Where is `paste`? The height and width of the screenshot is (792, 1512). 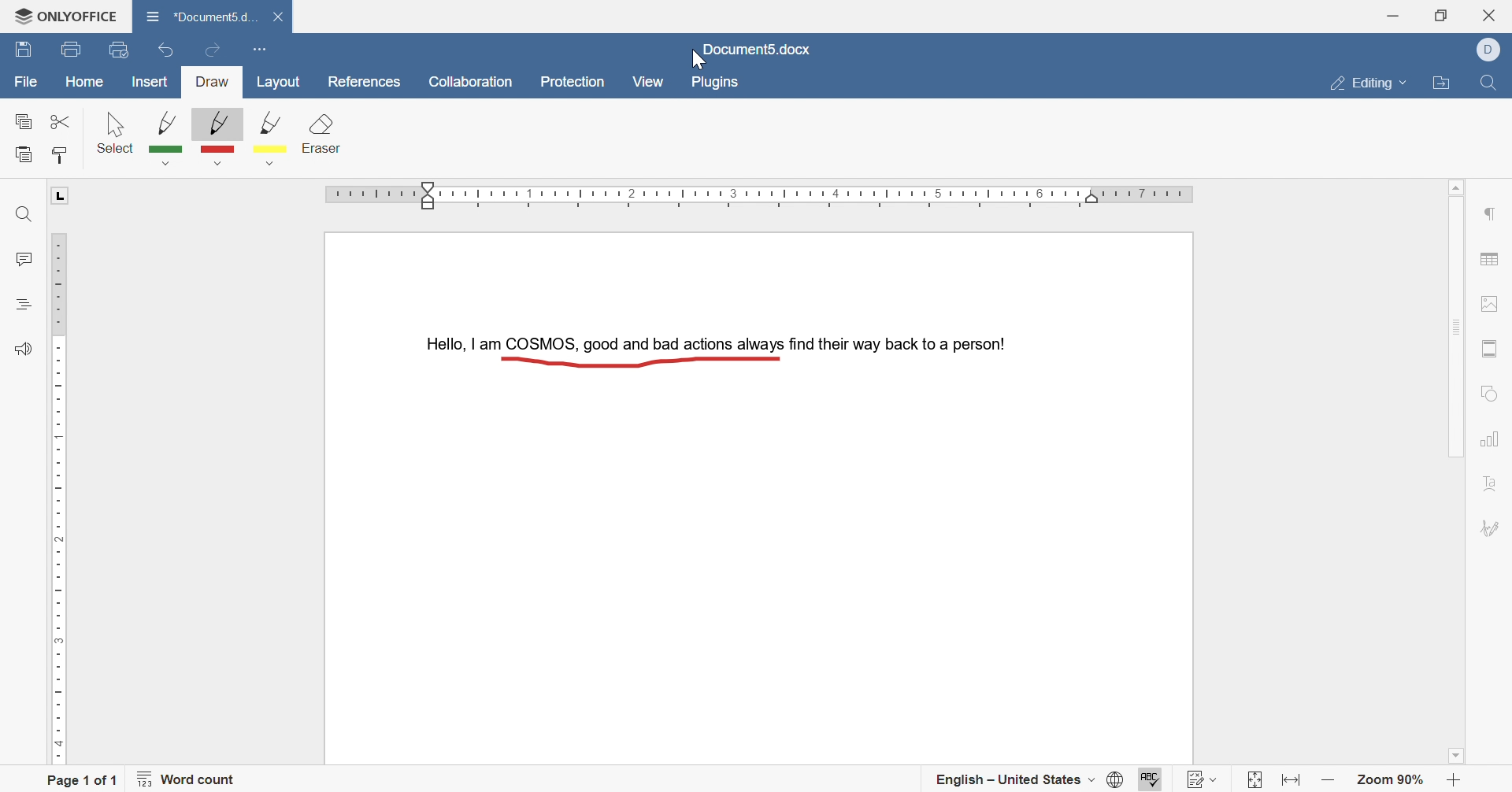 paste is located at coordinates (24, 155).